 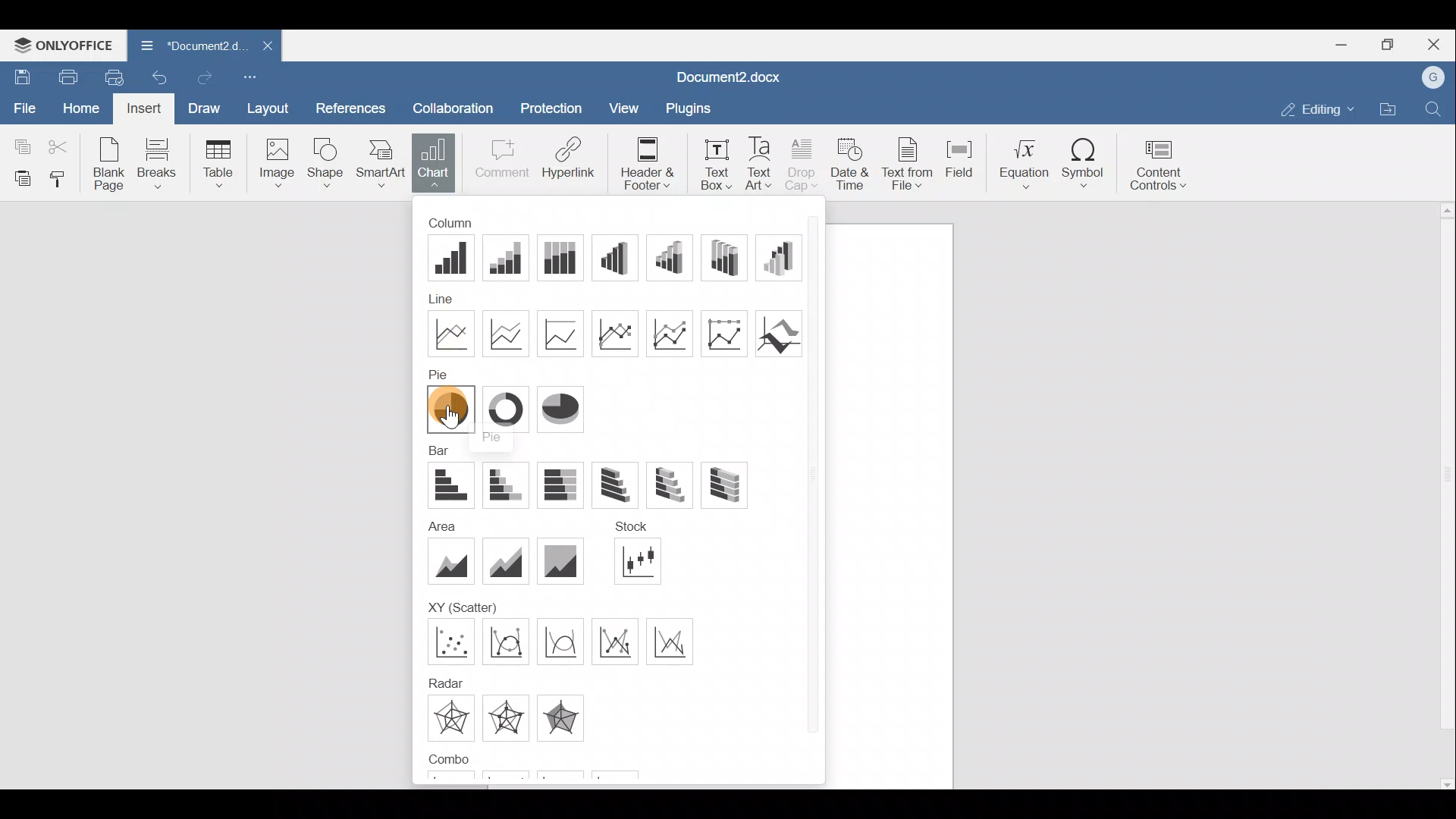 What do you see at coordinates (444, 334) in the screenshot?
I see `Line` at bounding box center [444, 334].